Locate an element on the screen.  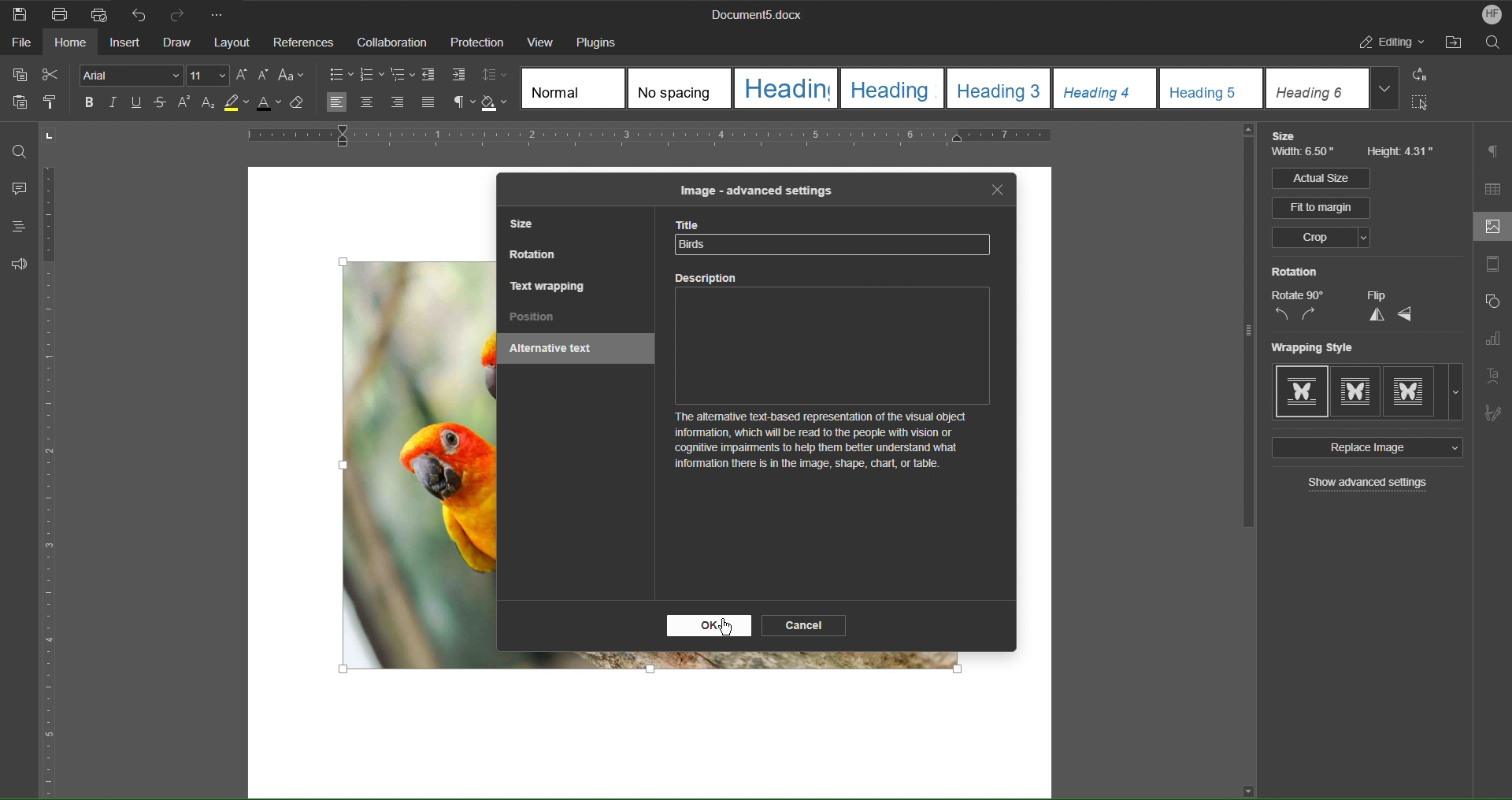
Text Case is located at coordinates (294, 76).